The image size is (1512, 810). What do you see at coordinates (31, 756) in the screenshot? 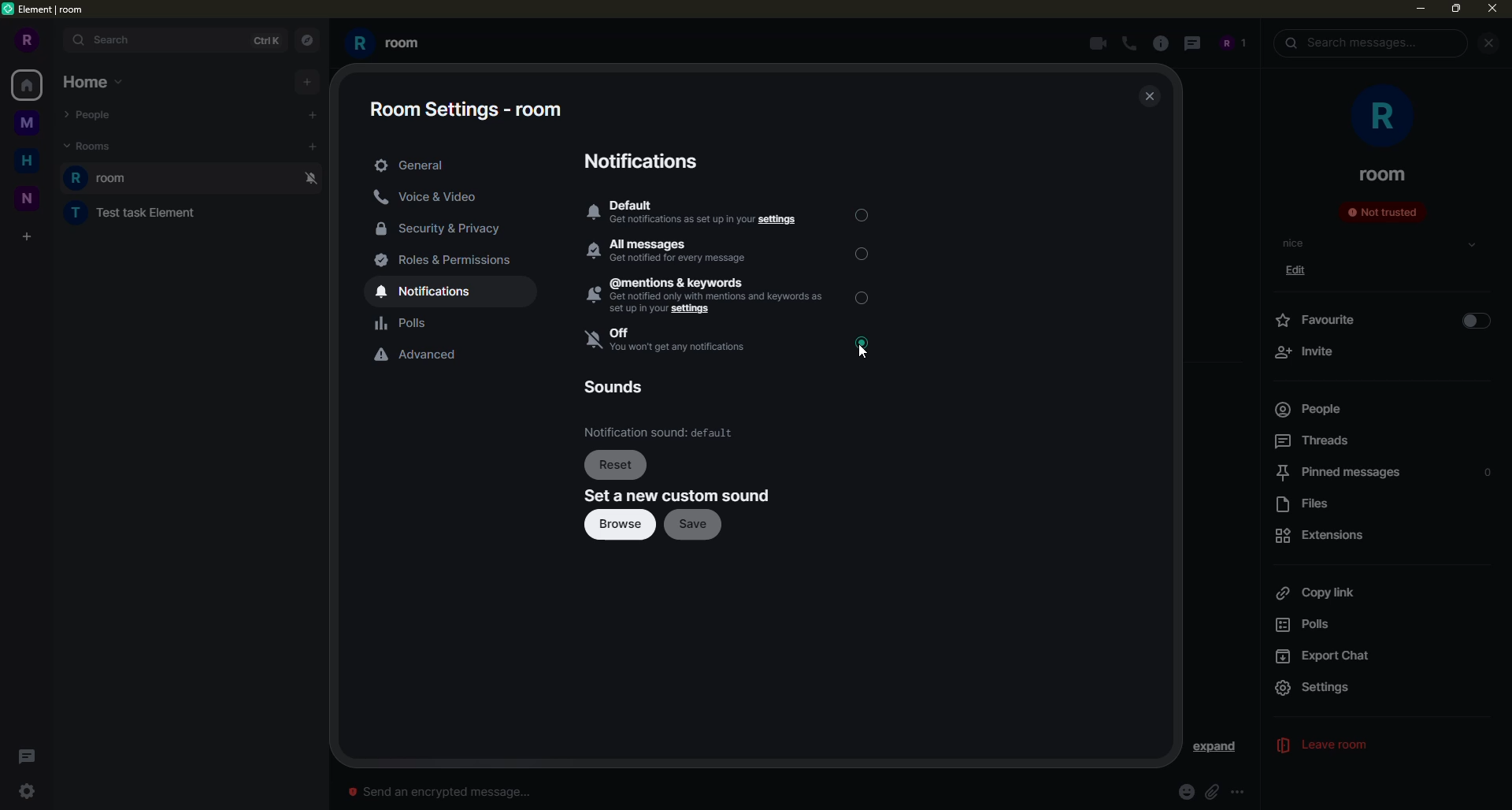
I see `threads` at bounding box center [31, 756].